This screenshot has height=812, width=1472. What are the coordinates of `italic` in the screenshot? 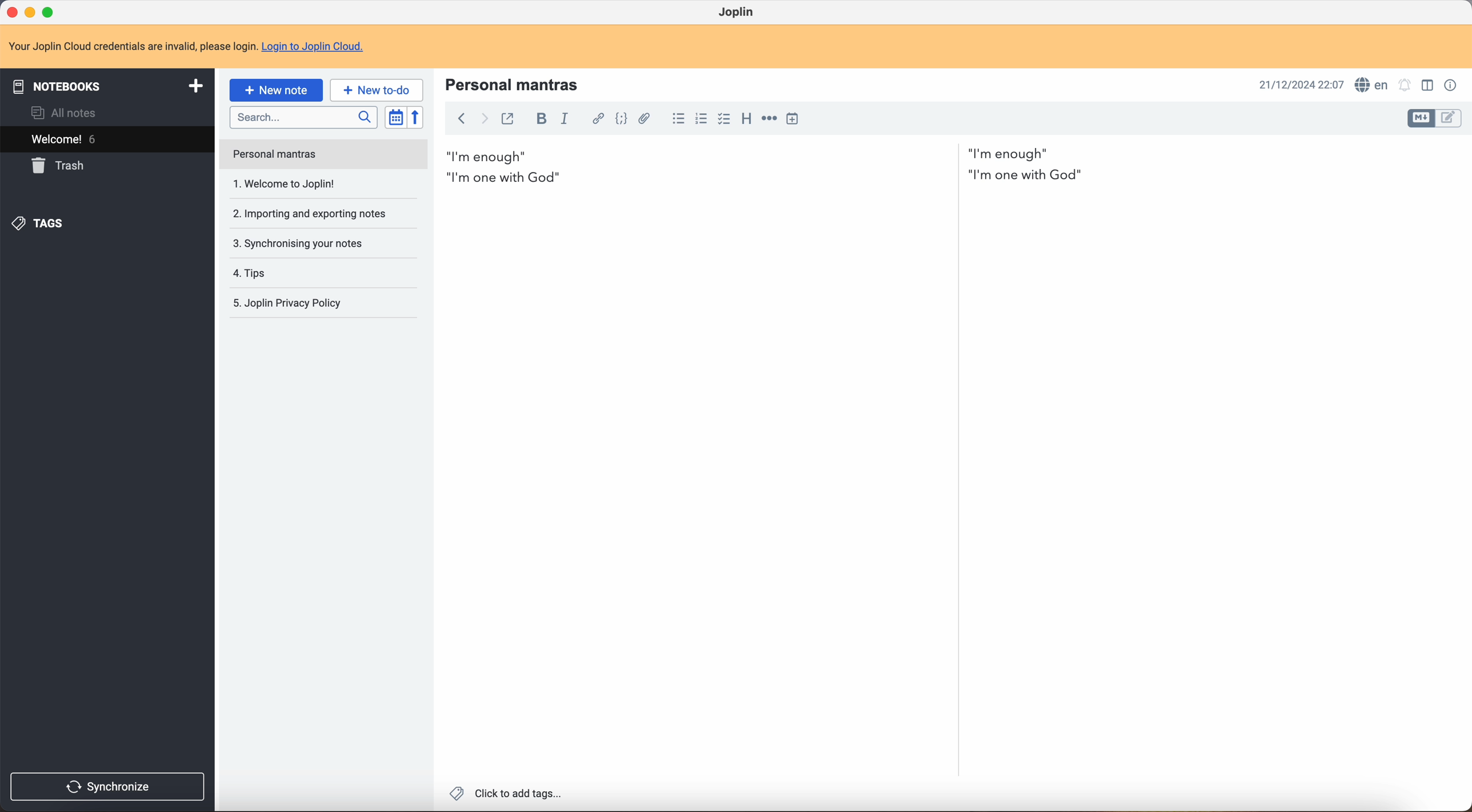 It's located at (567, 120).